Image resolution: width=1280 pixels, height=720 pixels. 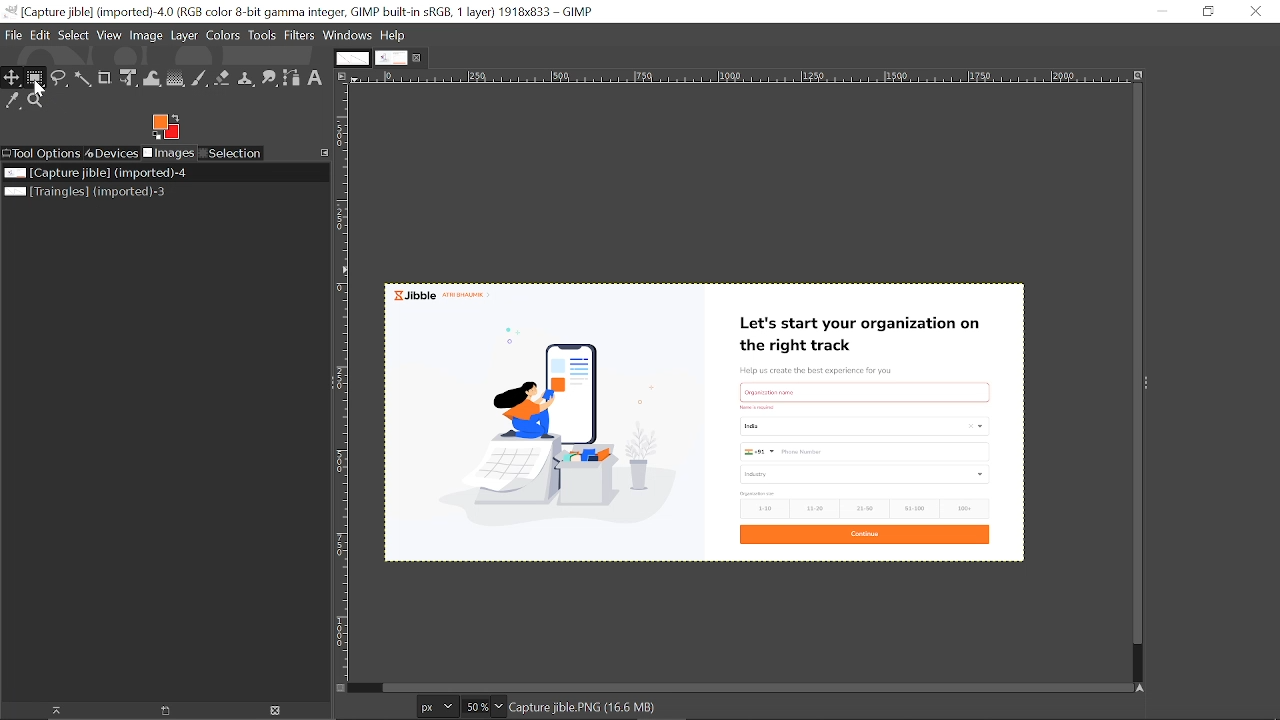 What do you see at coordinates (1142, 687) in the screenshot?
I see `Navigate the image's display` at bounding box center [1142, 687].